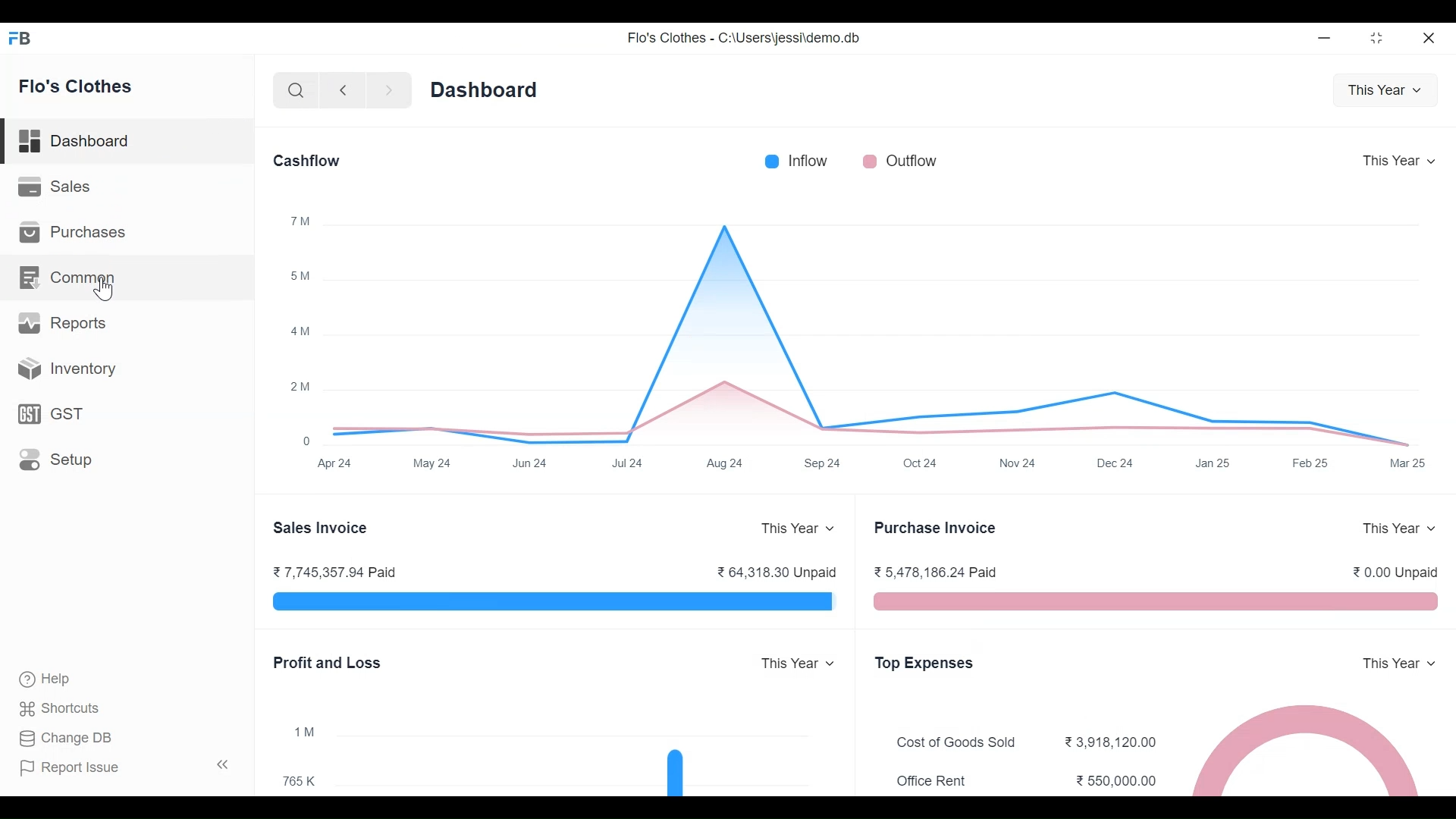  What do you see at coordinates (43, 677) in the screenshot?
I see `Help` at bounding box center [43, 677].